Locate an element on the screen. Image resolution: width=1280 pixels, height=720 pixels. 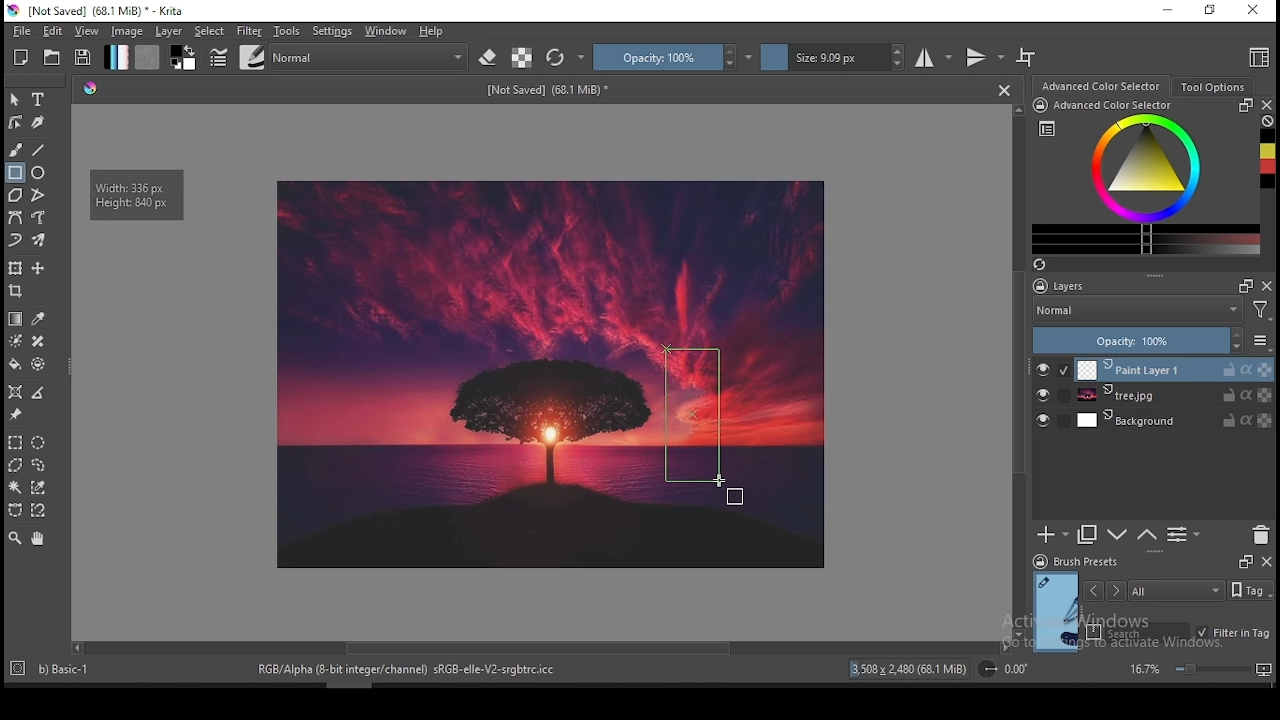
close docker is located at coordinates (1266, 562).